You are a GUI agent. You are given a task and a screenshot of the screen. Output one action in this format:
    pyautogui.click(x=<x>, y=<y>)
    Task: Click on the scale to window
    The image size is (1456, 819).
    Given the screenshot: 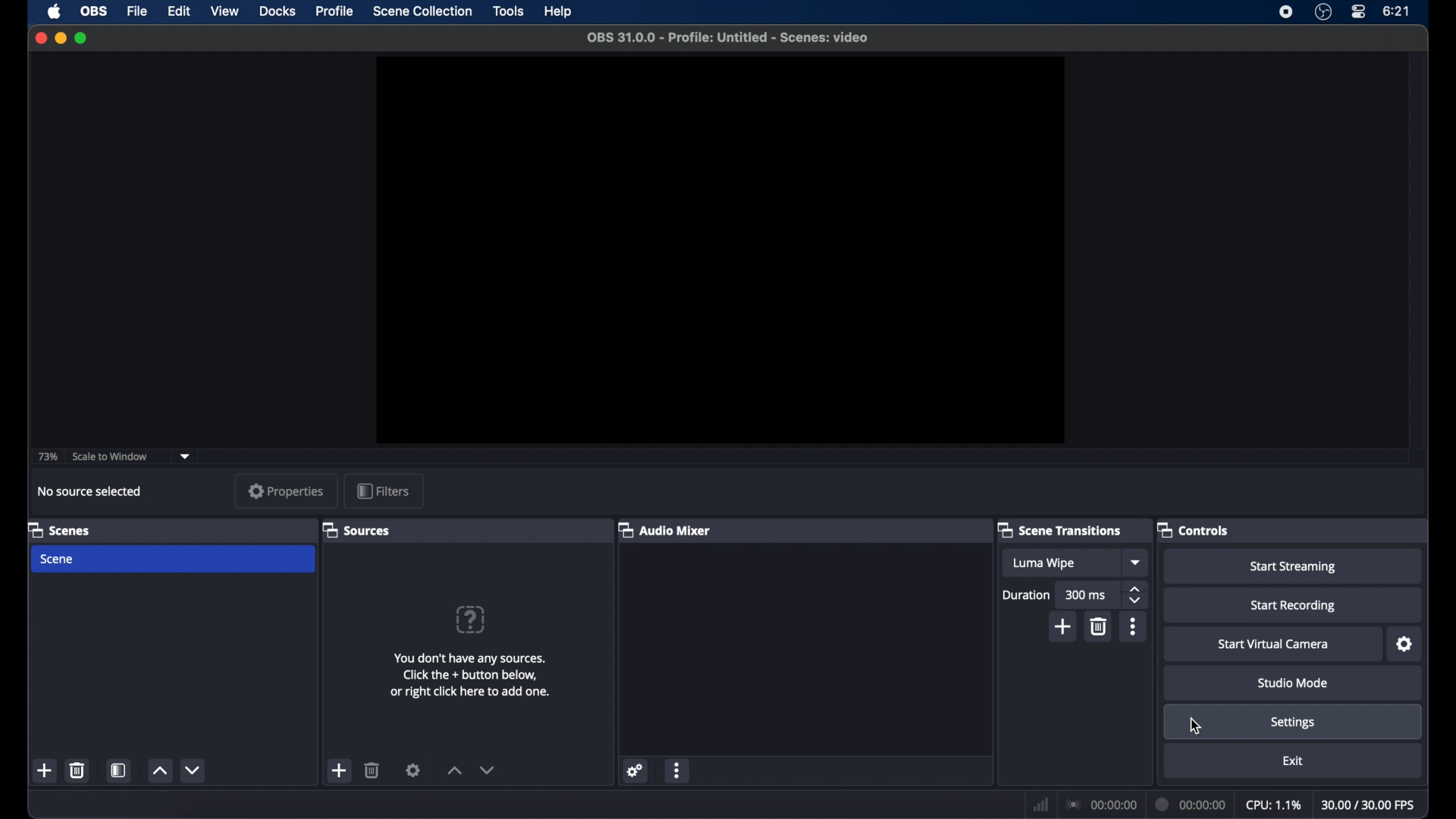 What is the action you would take?
    pyautogui.click(x=111, y=455)
    